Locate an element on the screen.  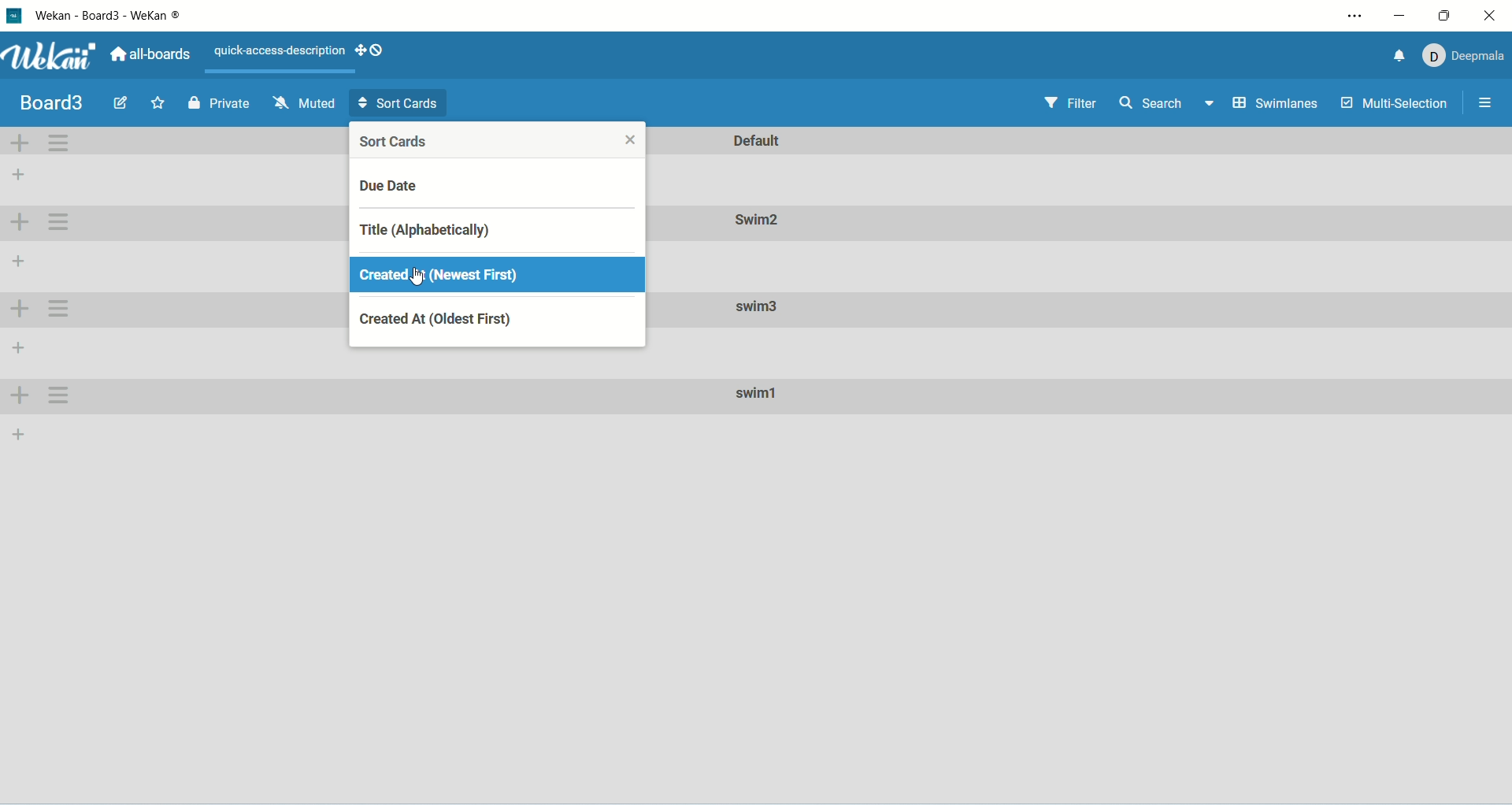
text is located at coordinates (278, 48).